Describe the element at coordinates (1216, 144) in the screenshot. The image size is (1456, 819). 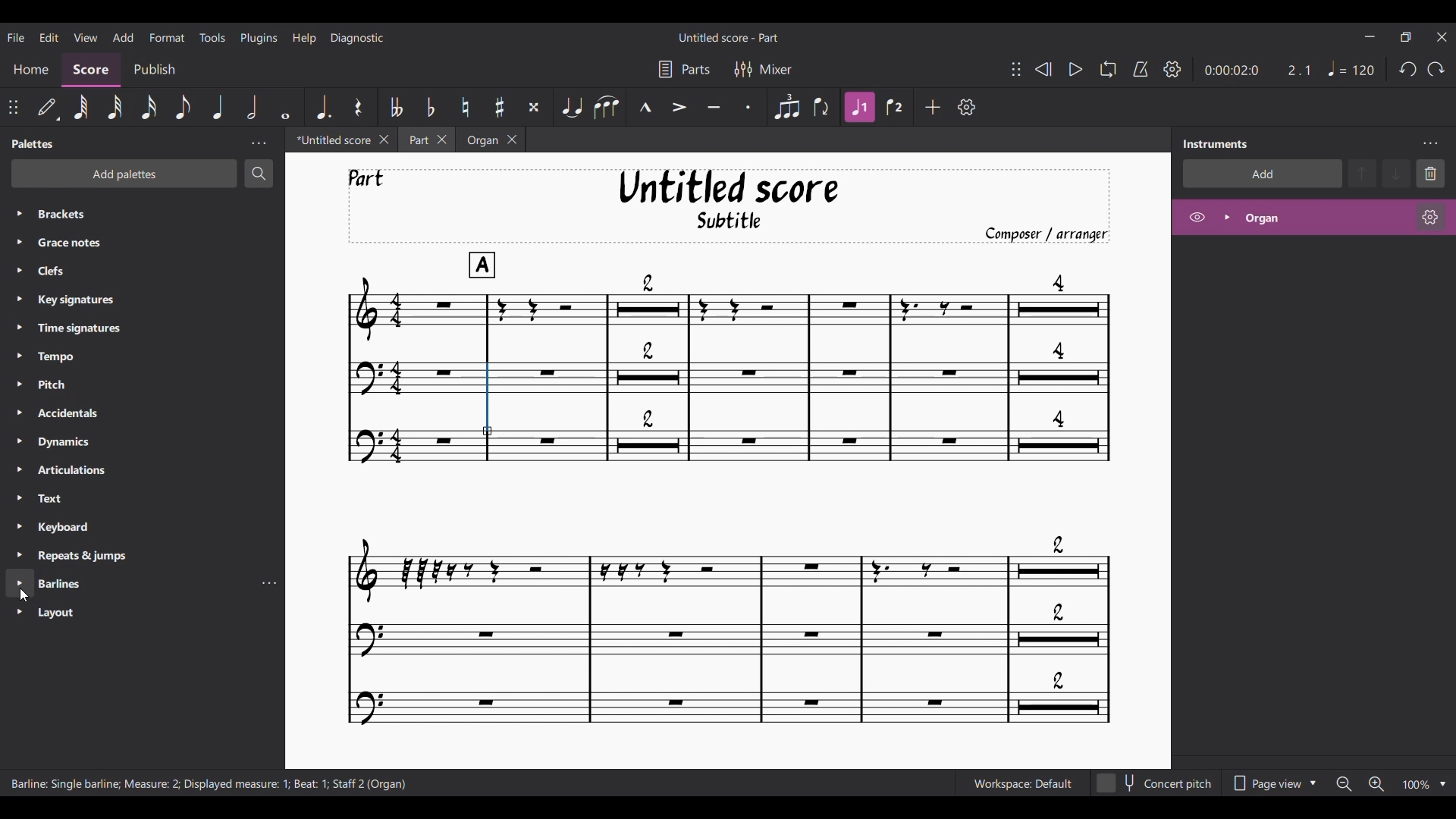
I see `Panel title` at that location.